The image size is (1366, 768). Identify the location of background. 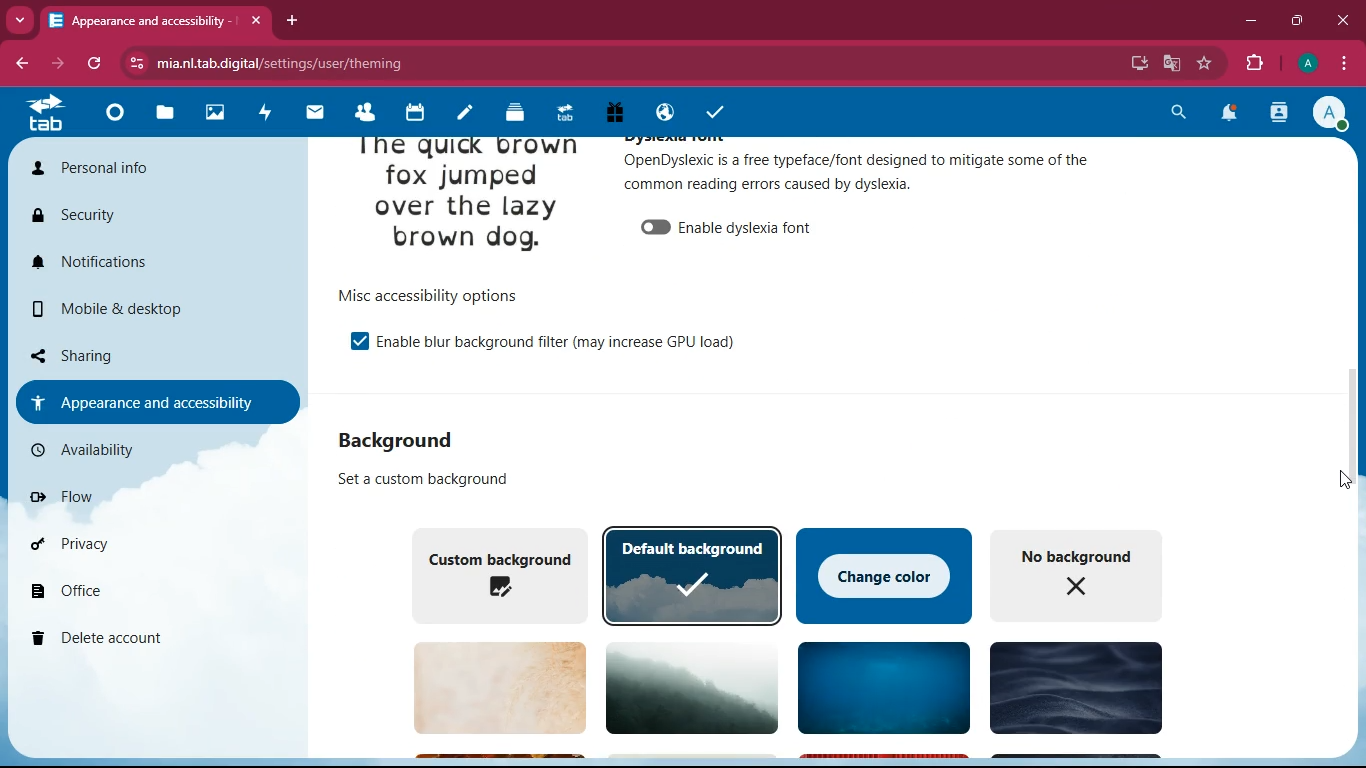
(879, 690).